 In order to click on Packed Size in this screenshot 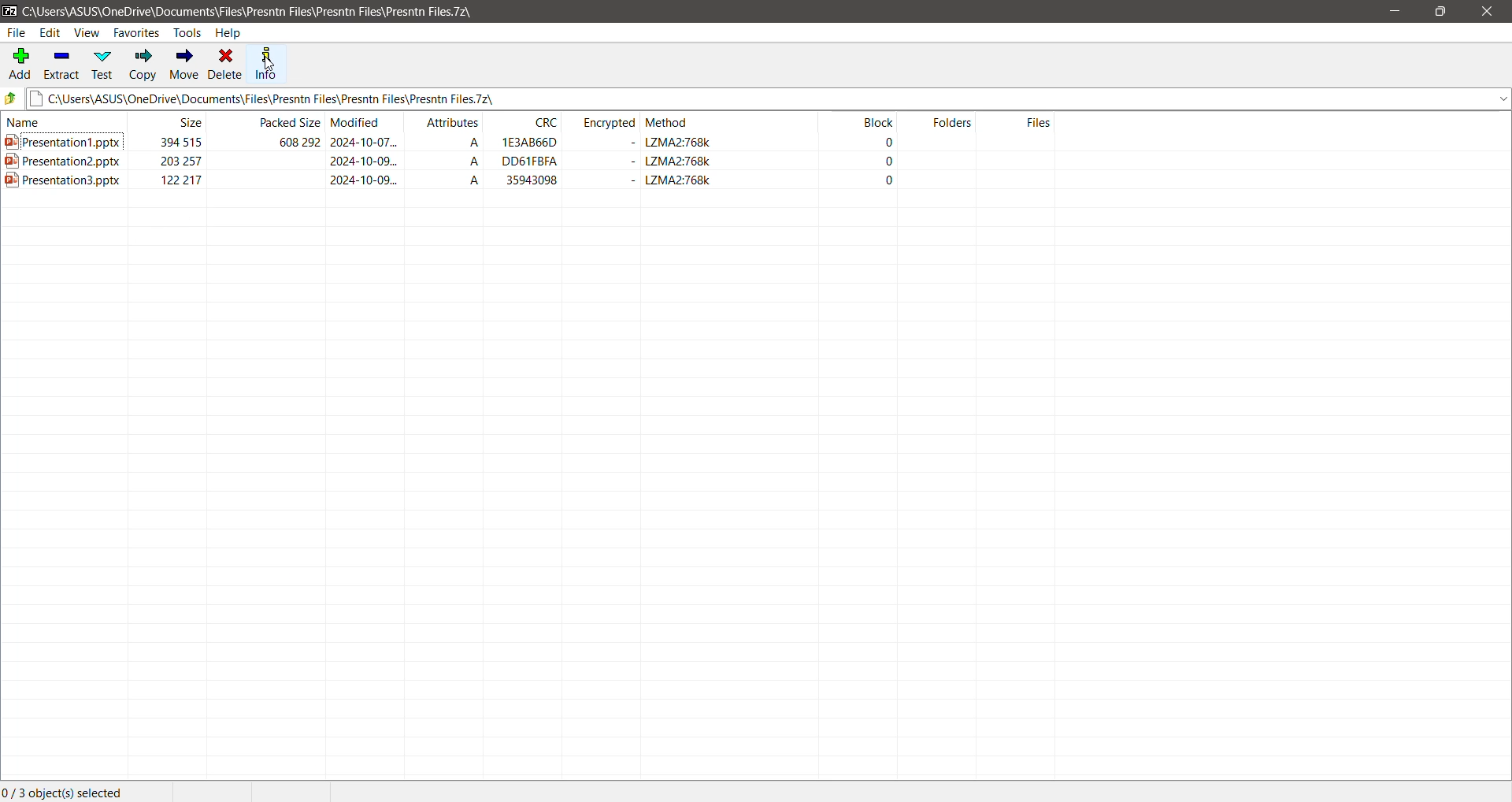, I will do `click(289, 124)`.